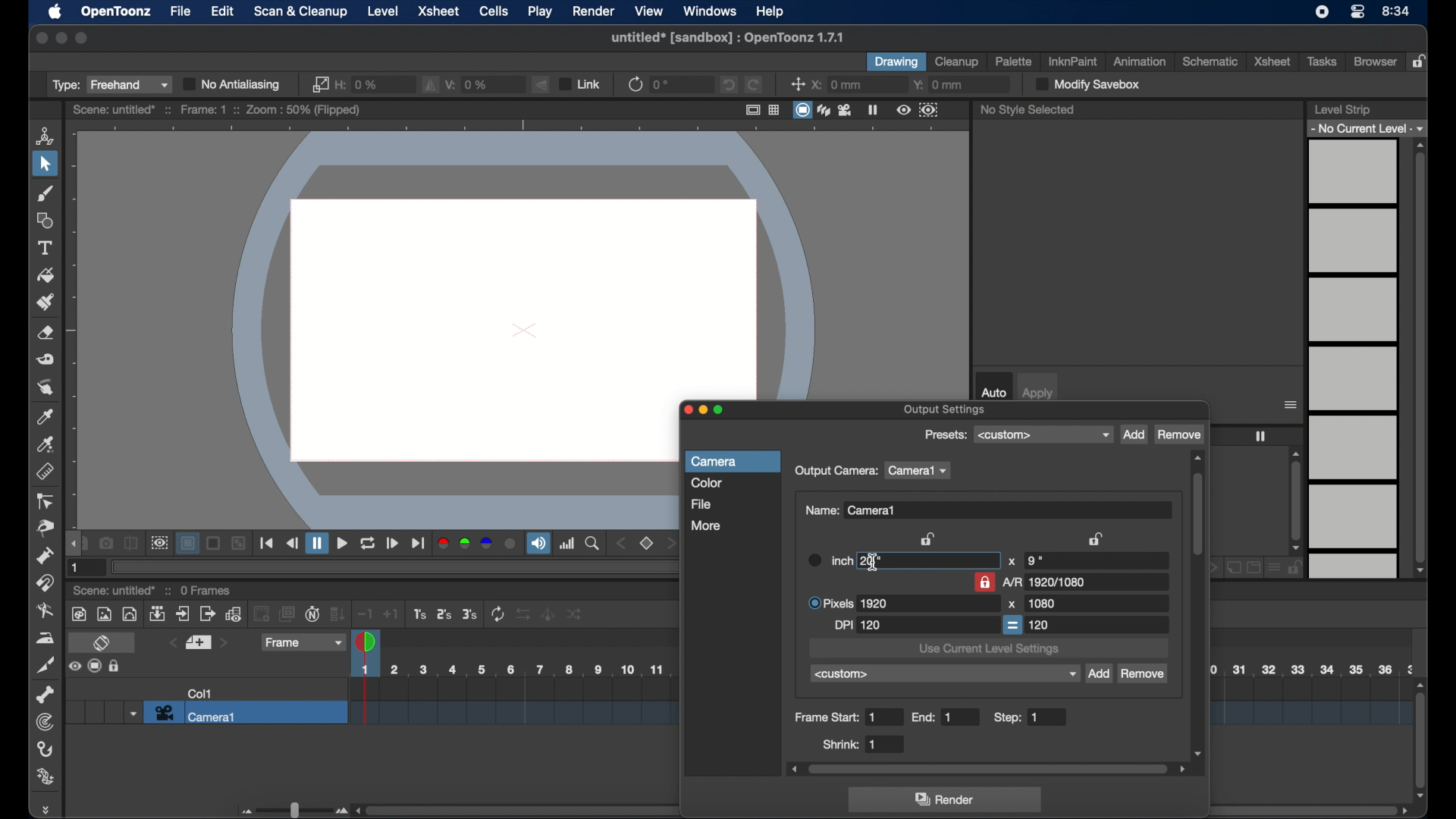 The height and width of the screenshot is (819, 1456). Describe the element at coordinates (1374, 61) in the screenshot. I see `browser` at that location.